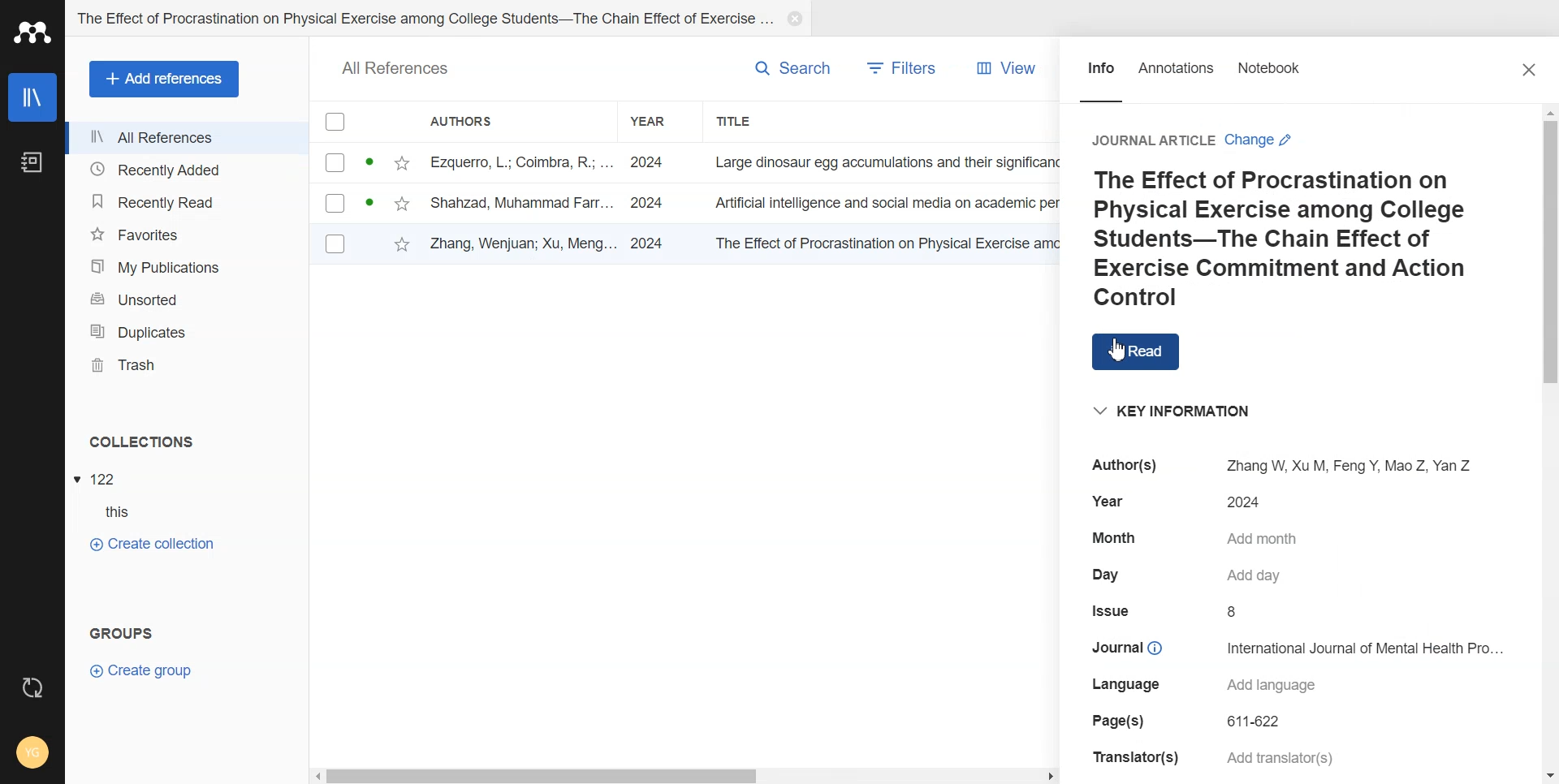 The height and width of the screenshot is (784, 1559). What do you see at coordinates (98, 478) in the screenshot?
I see `File` at bounding box center [98, 478].